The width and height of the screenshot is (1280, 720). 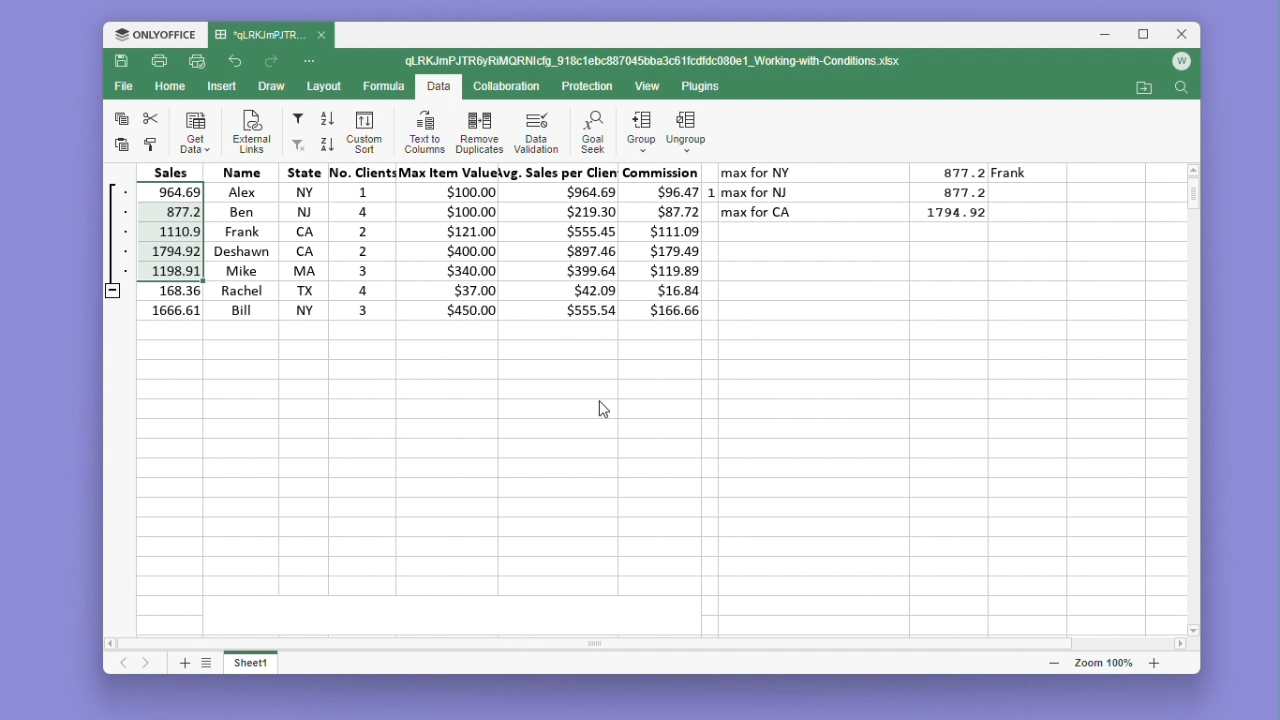 What do you see at coordinates (727, 155) in the screenshot?
I see `text` at bounding box center [727, 155].